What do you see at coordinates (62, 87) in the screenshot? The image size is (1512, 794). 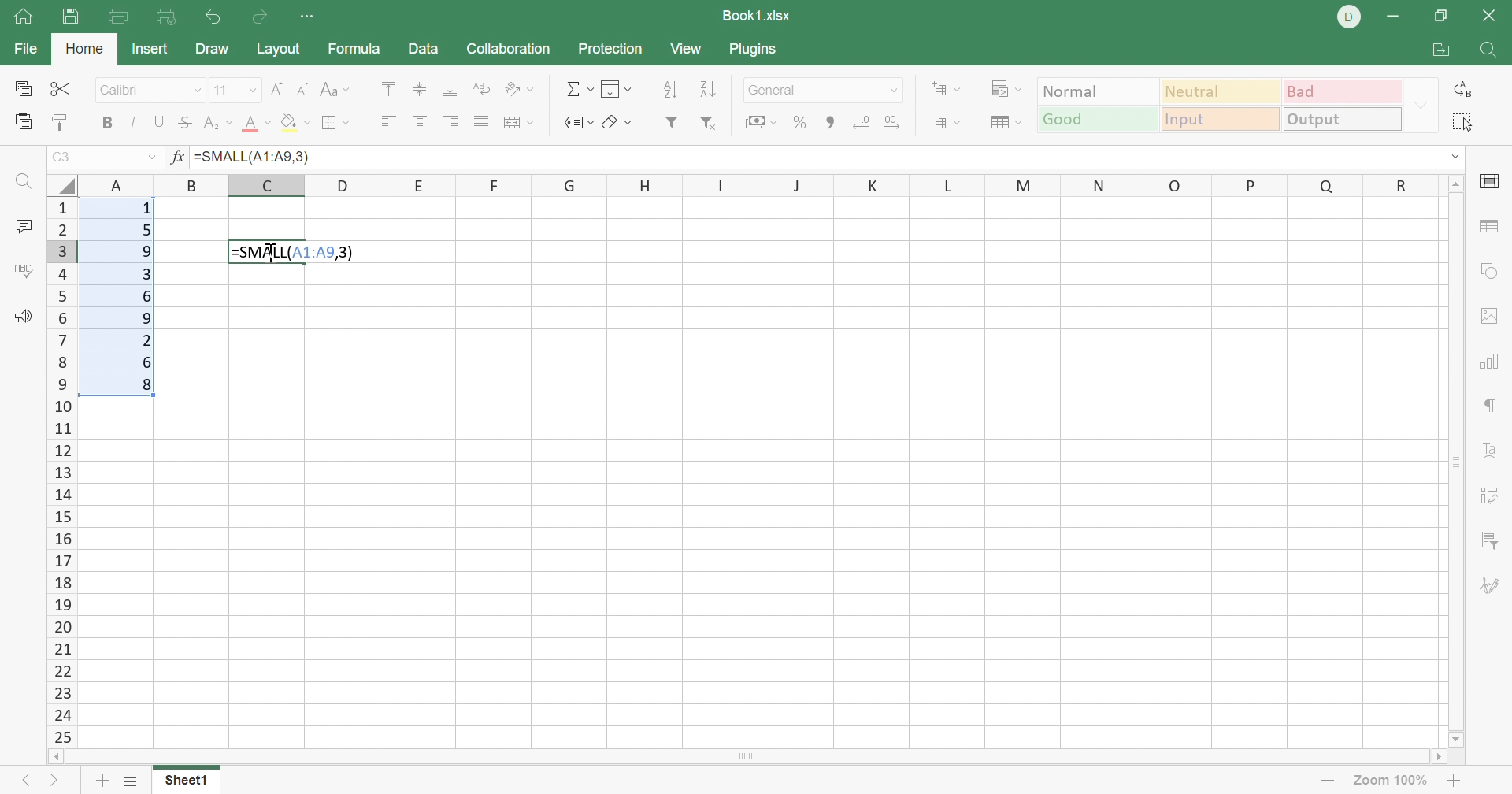 I see `Cut` at bounding box center [62, 87].